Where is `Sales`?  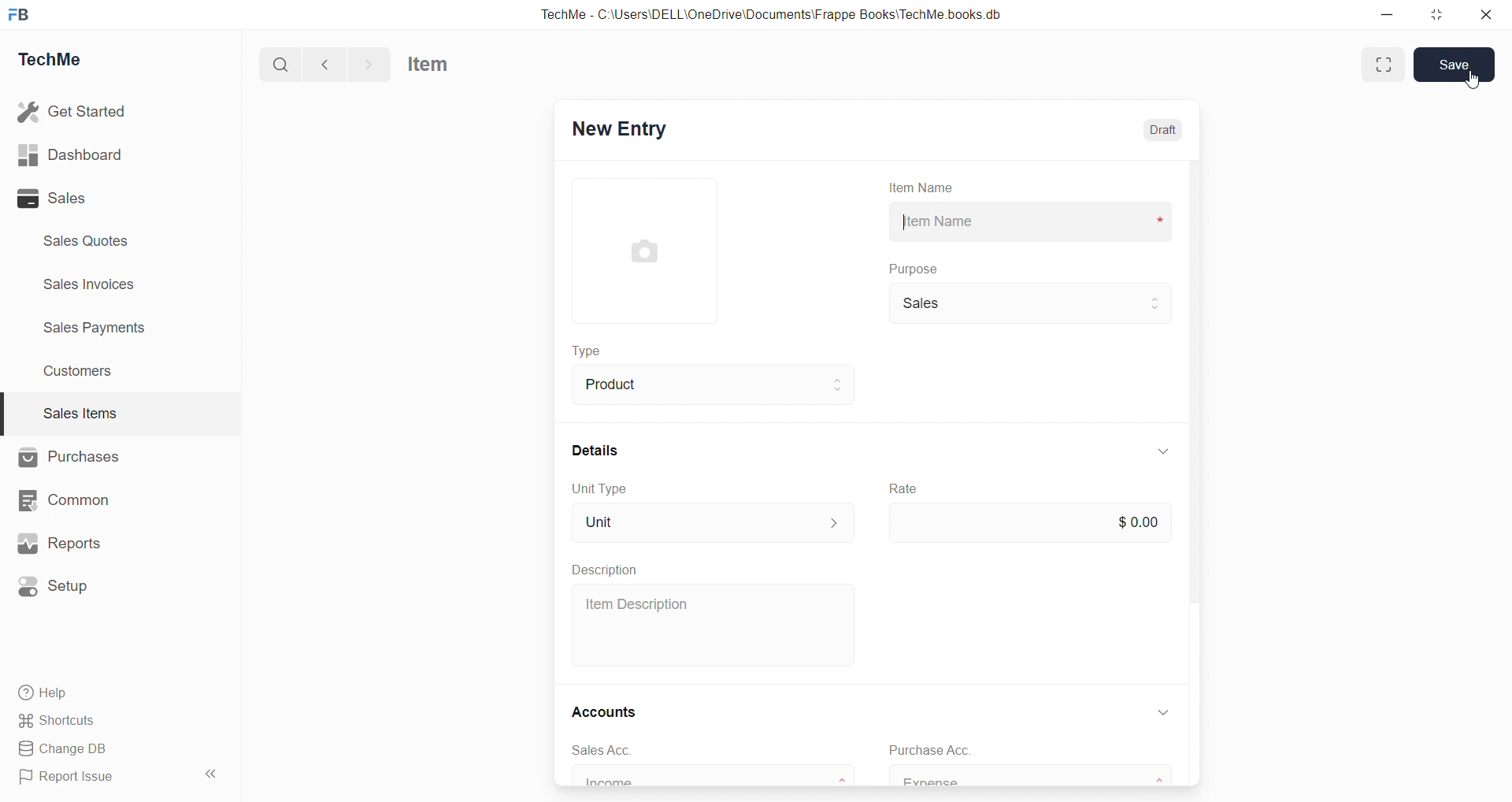
Sales is located at coordinates (54, 199).